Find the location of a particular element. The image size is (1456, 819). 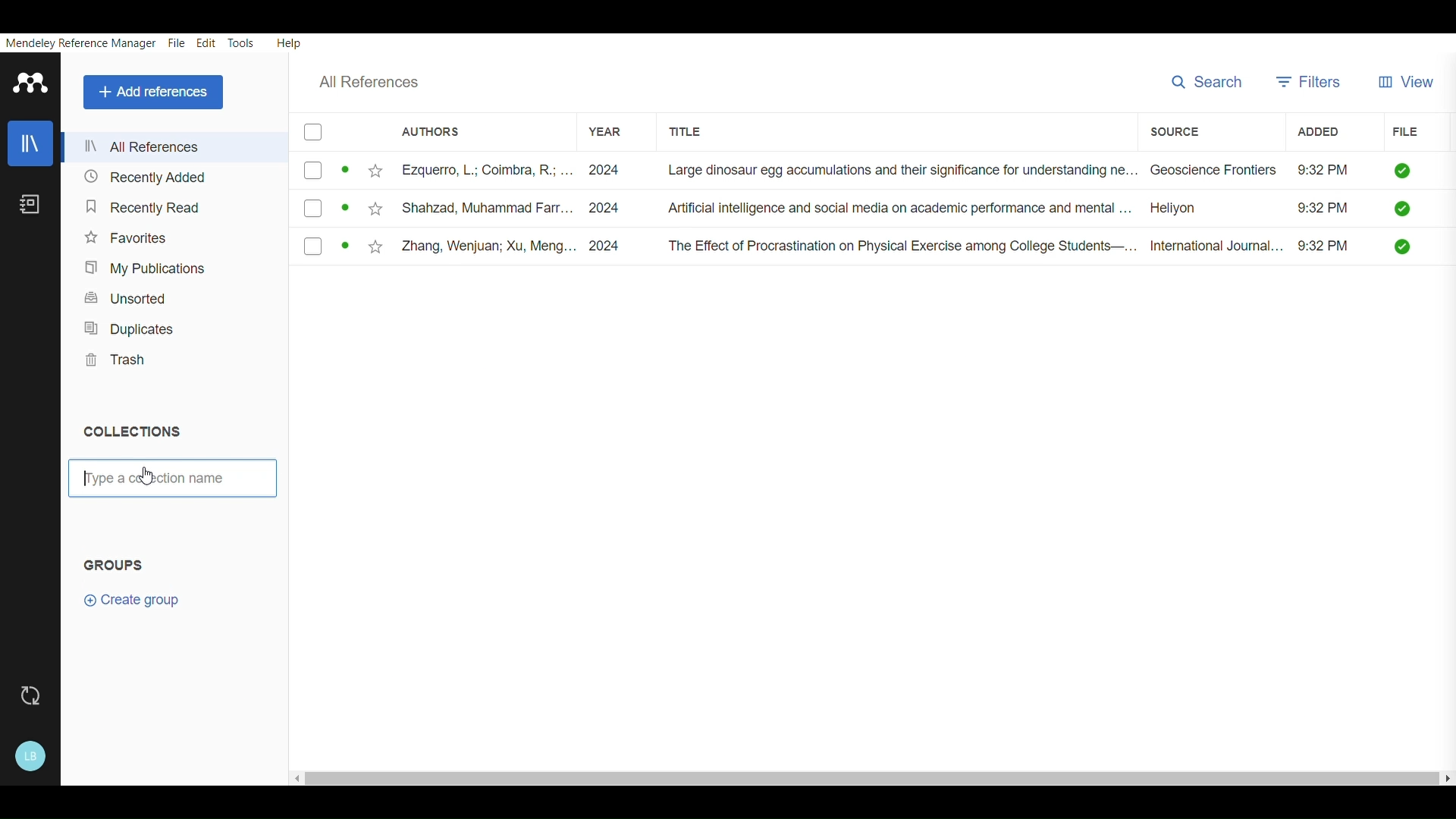

TITLE is located at coordinates (699, 129).